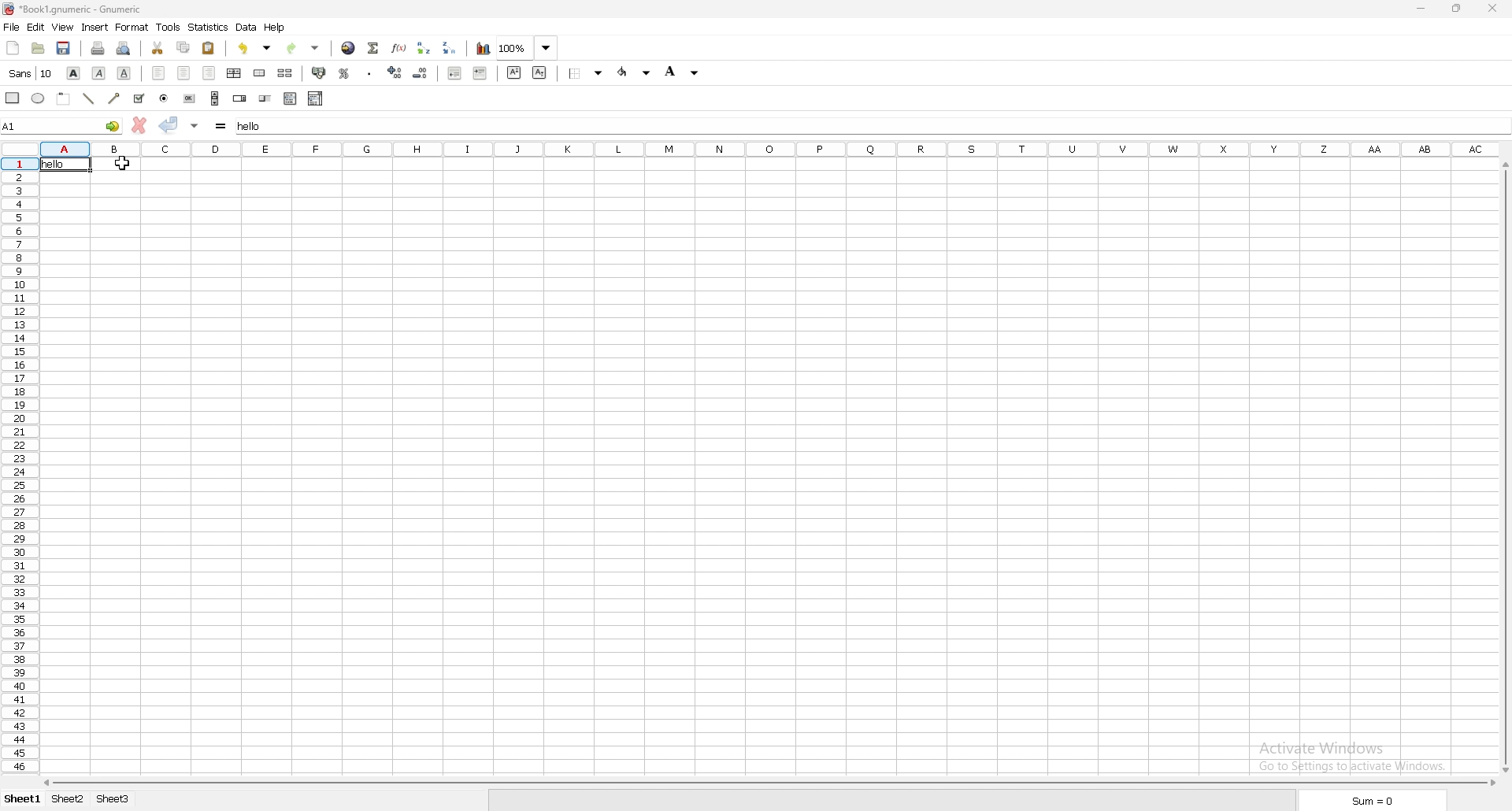  What do you see at coordinates (587, 72) in the screenshot?
I see `background` at bounding box center [587, 72].